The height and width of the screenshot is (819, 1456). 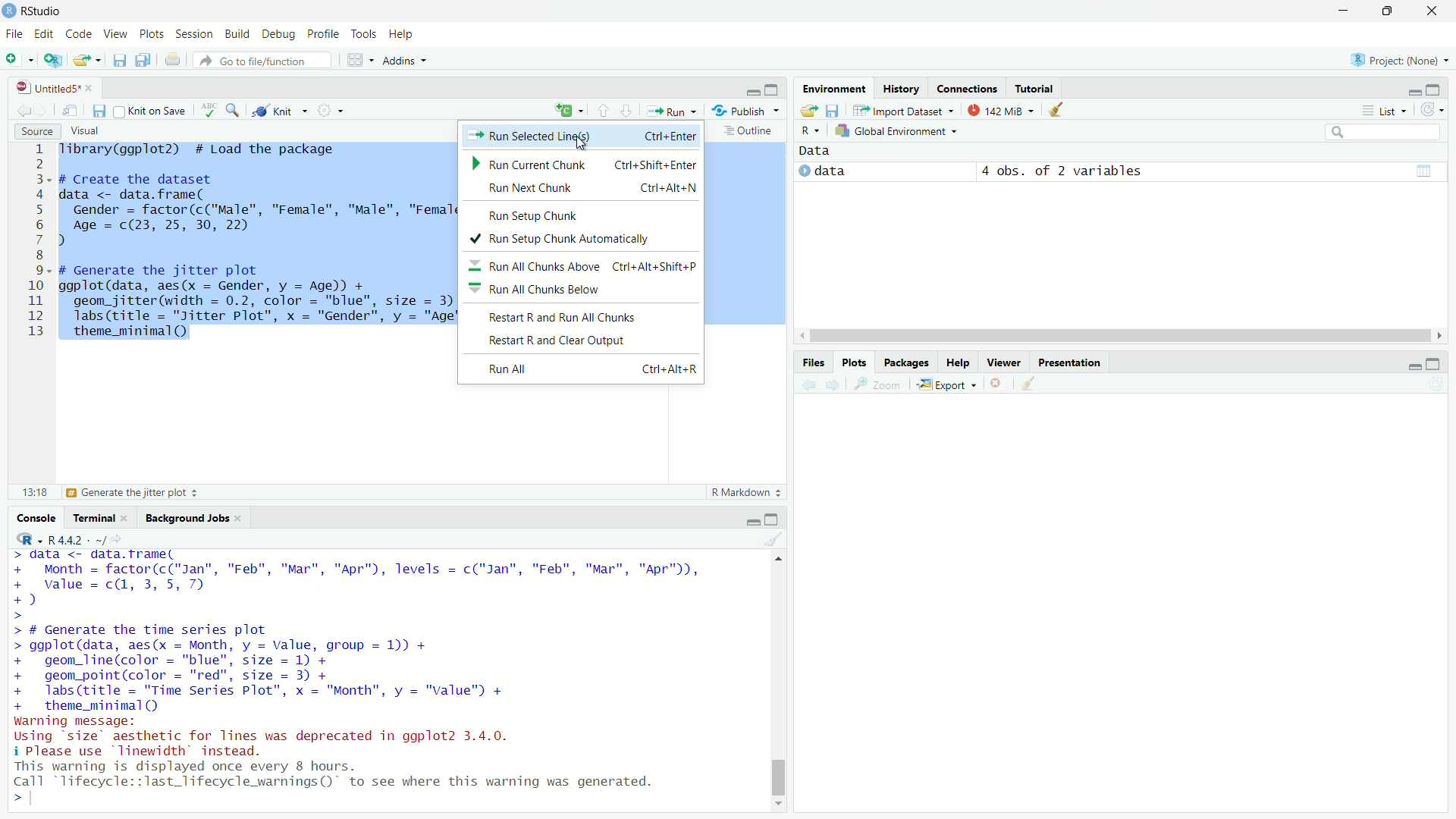 What do you see at coordinates (253, 211) in the screenshot?
I see `code to create the dataset` at bounding box center [253, 211].